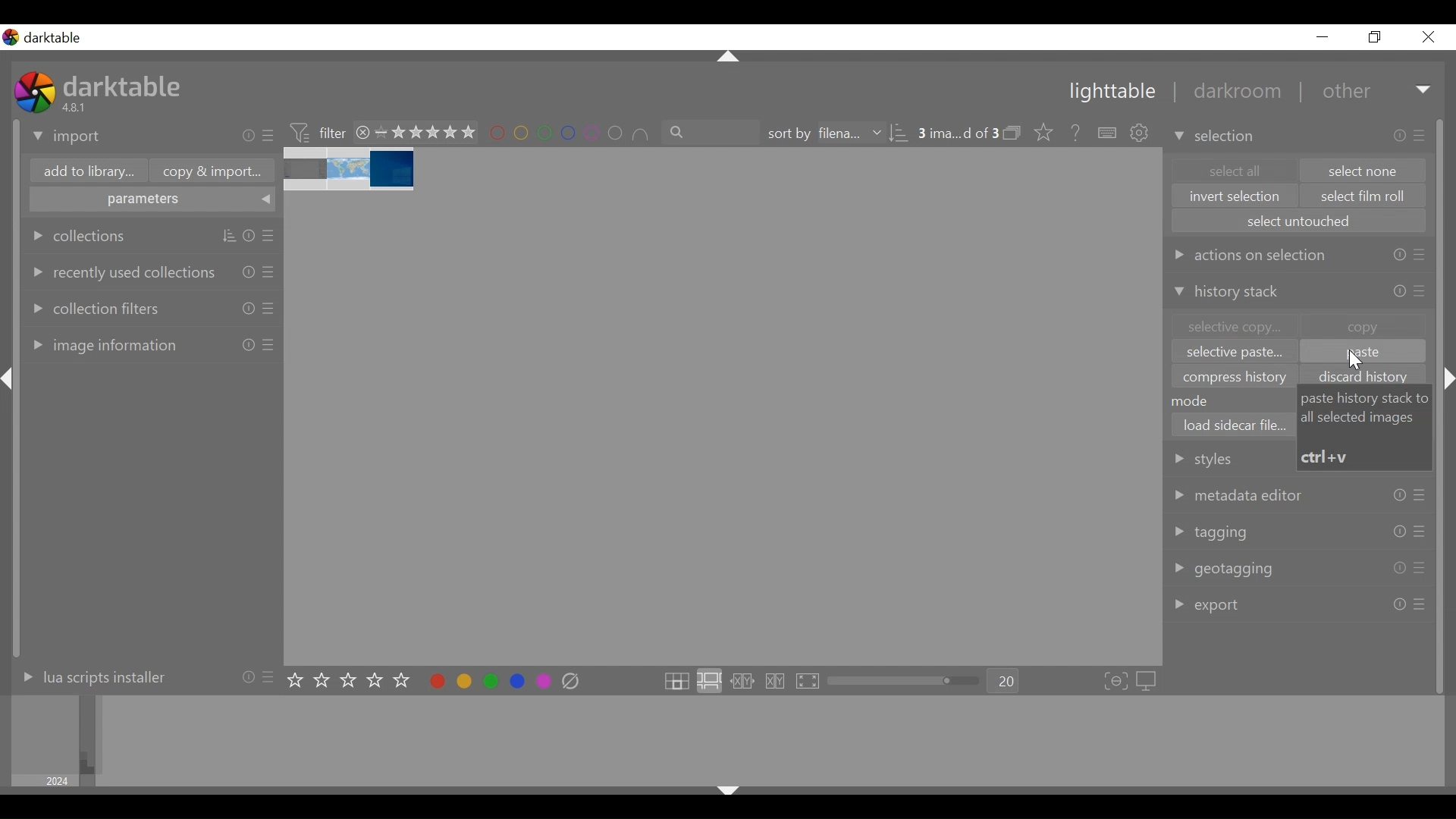  Describe the element at coordinates (249, 271) in the screenshot. I see `info` at that location.